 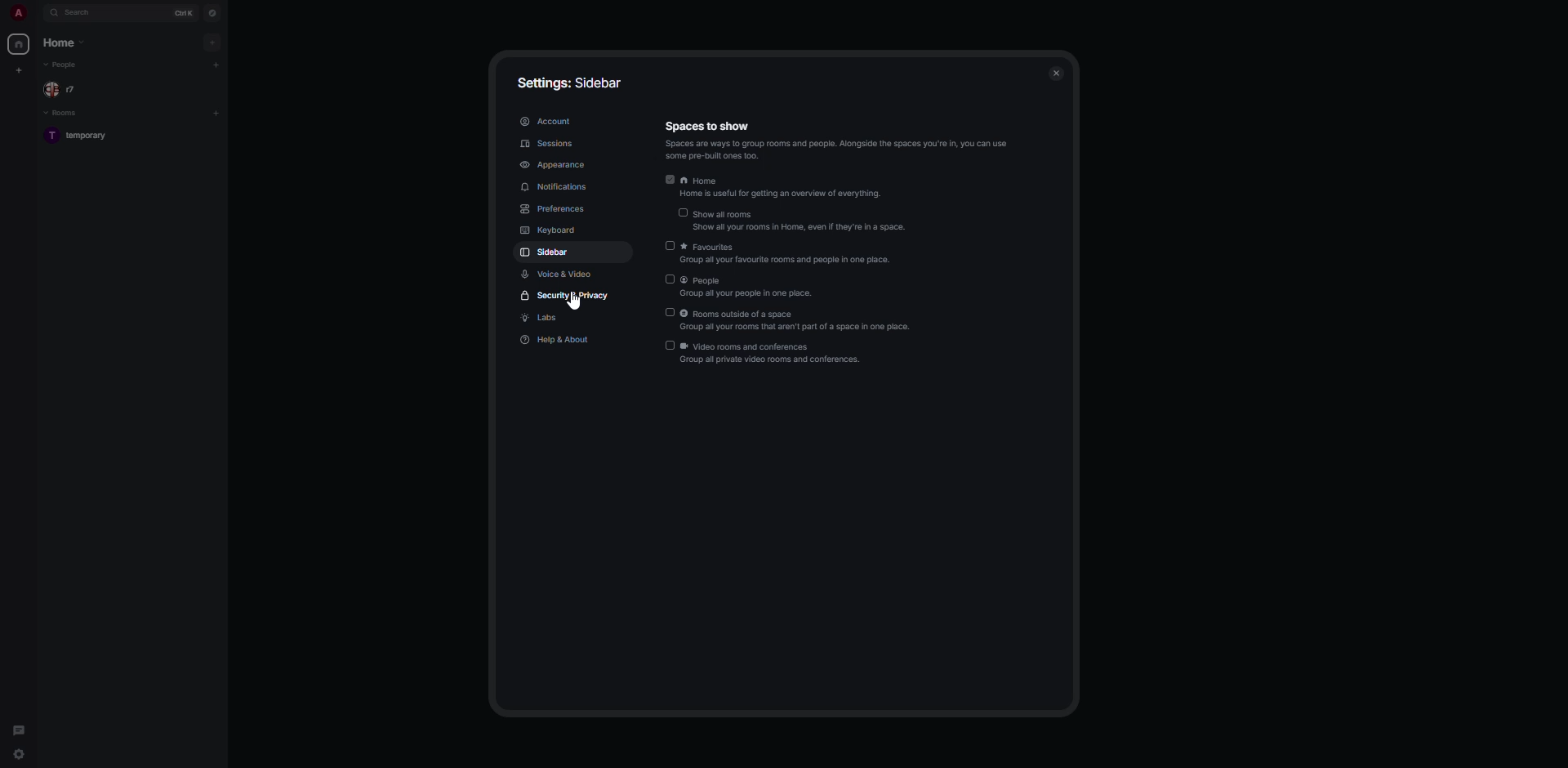 I want to click on people, so click(x=64, y=65).